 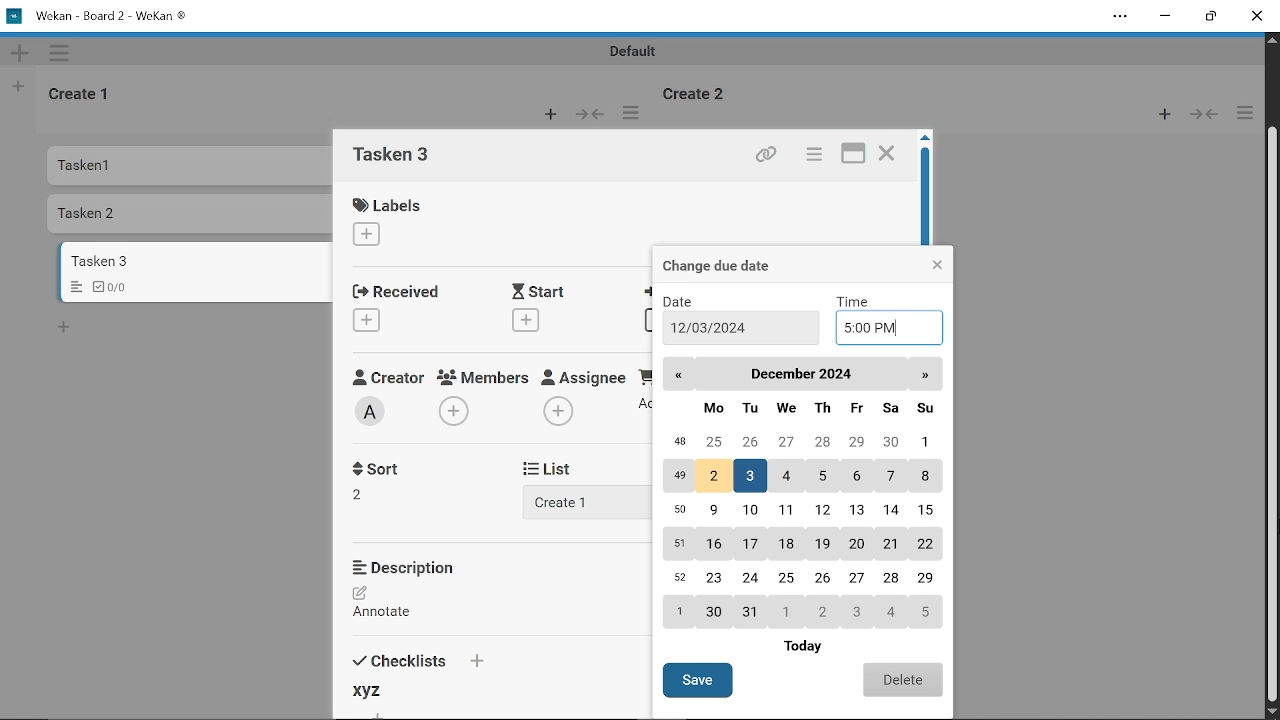 What do you see at coordinates (117, 286) in the screenshot?
I see `Checklist` at bounding box center [117, 286].